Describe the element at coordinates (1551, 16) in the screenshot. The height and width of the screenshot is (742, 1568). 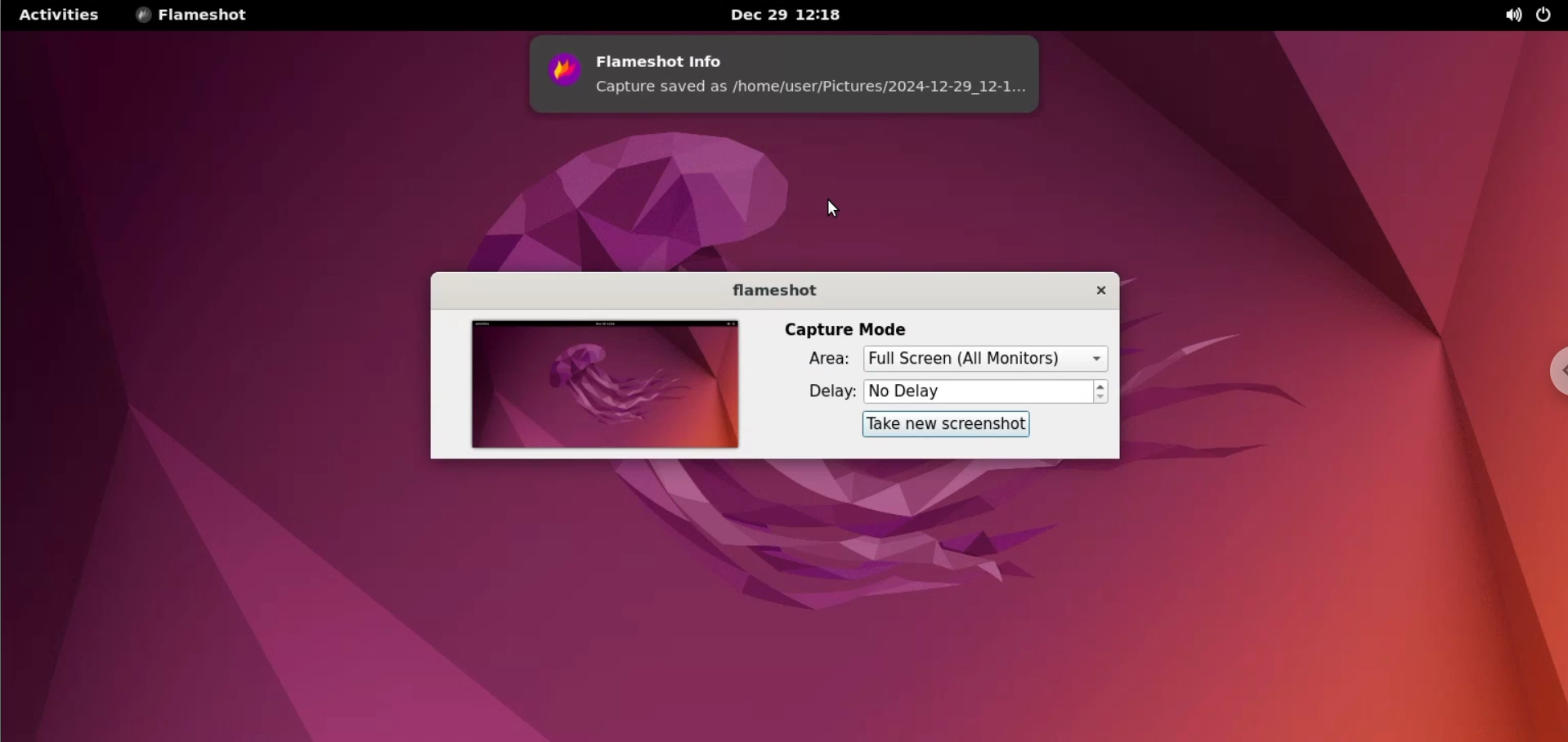
I see `power options` at that location.